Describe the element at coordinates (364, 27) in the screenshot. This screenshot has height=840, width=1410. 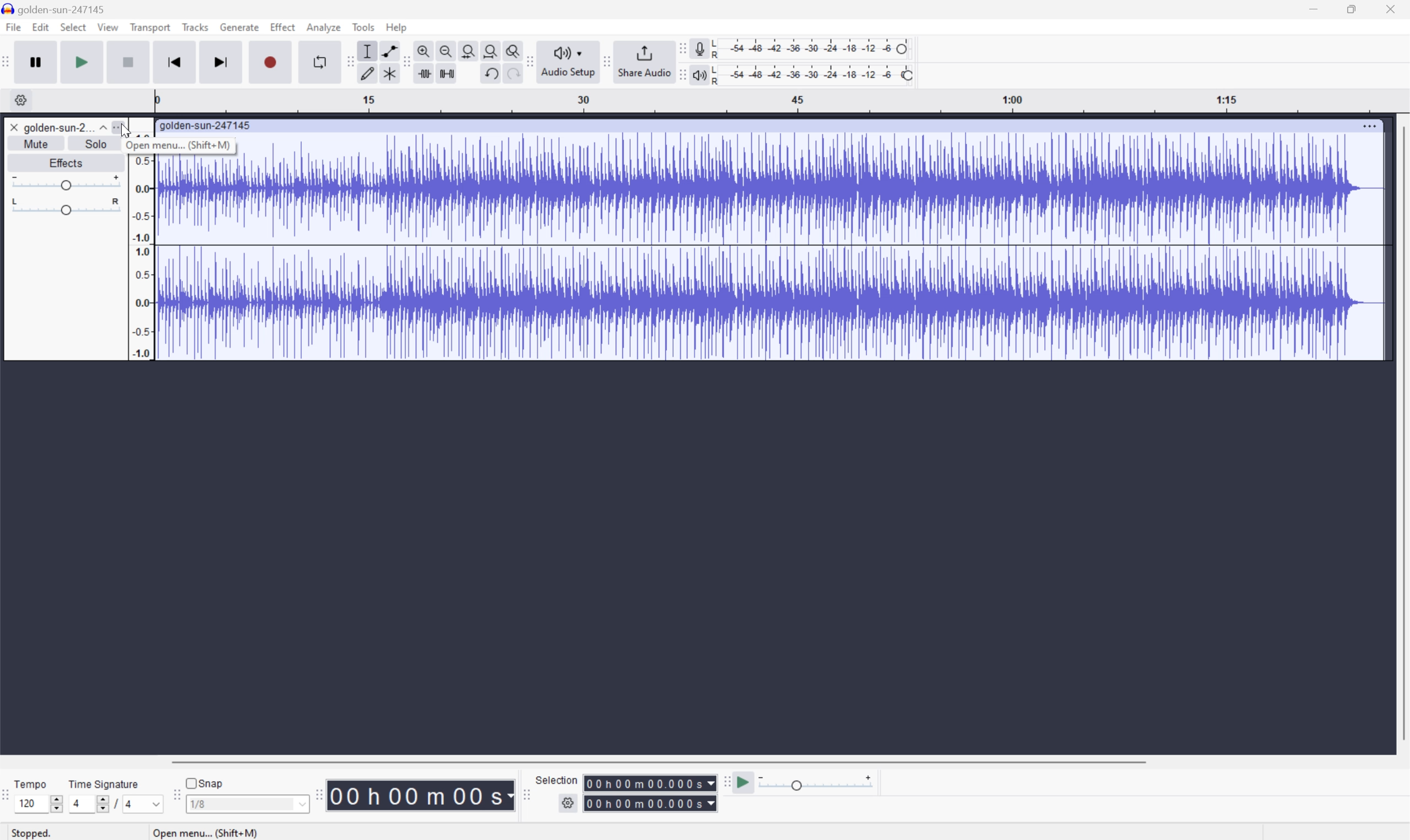
I see `Tools` at that location.